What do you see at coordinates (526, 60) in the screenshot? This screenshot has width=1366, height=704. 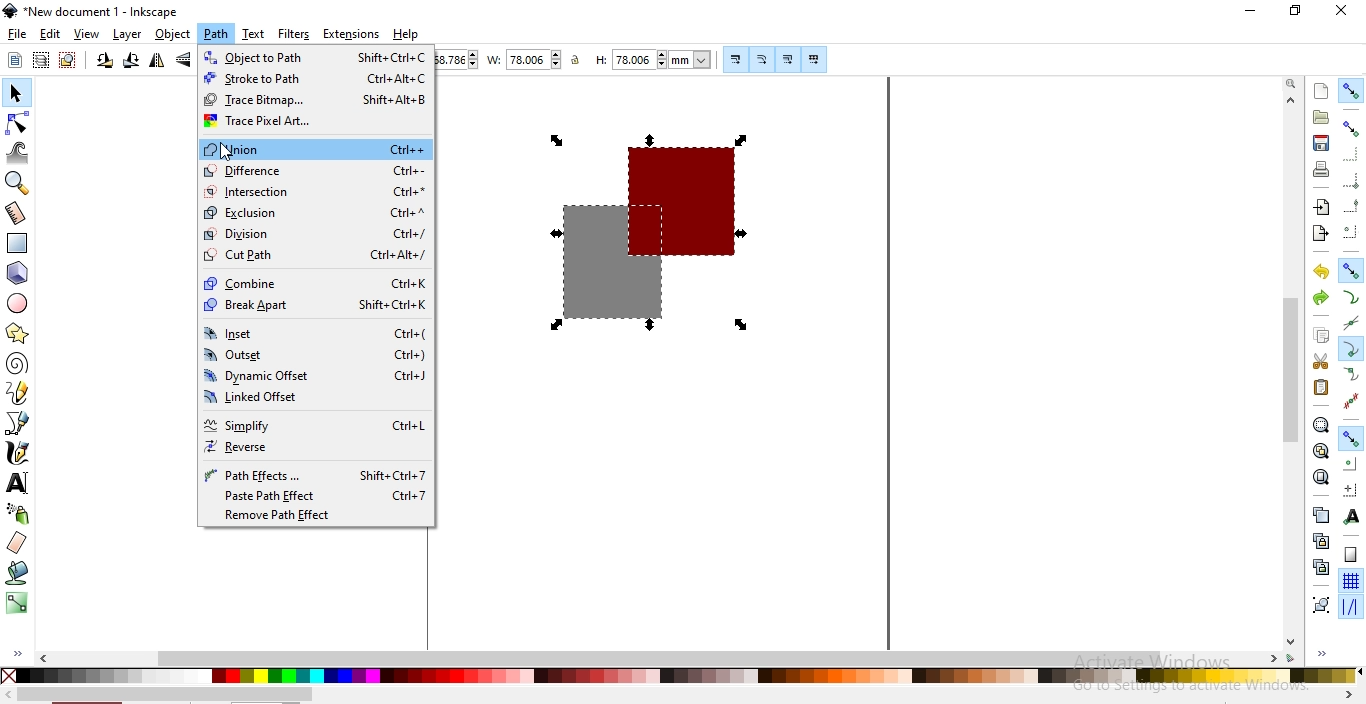 I see `width of selection` at bounding box center [526, 60].